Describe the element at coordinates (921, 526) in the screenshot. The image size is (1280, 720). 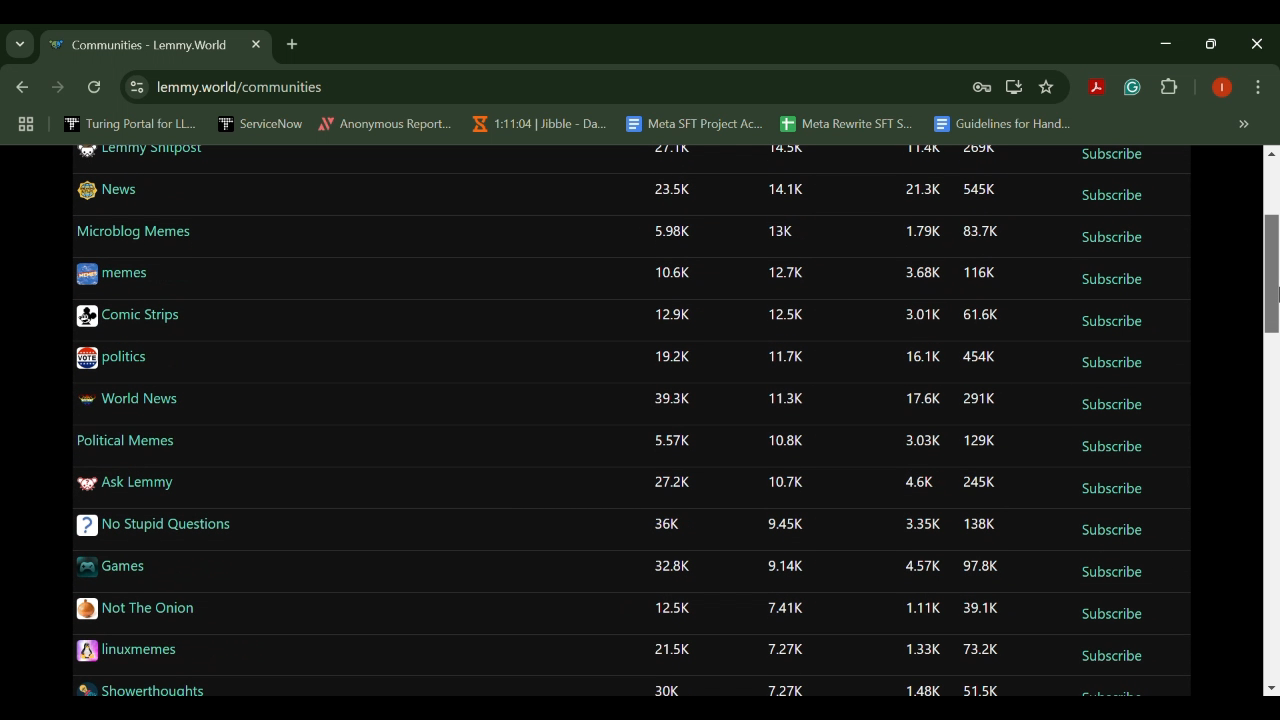
I see `3.35K` at that location.